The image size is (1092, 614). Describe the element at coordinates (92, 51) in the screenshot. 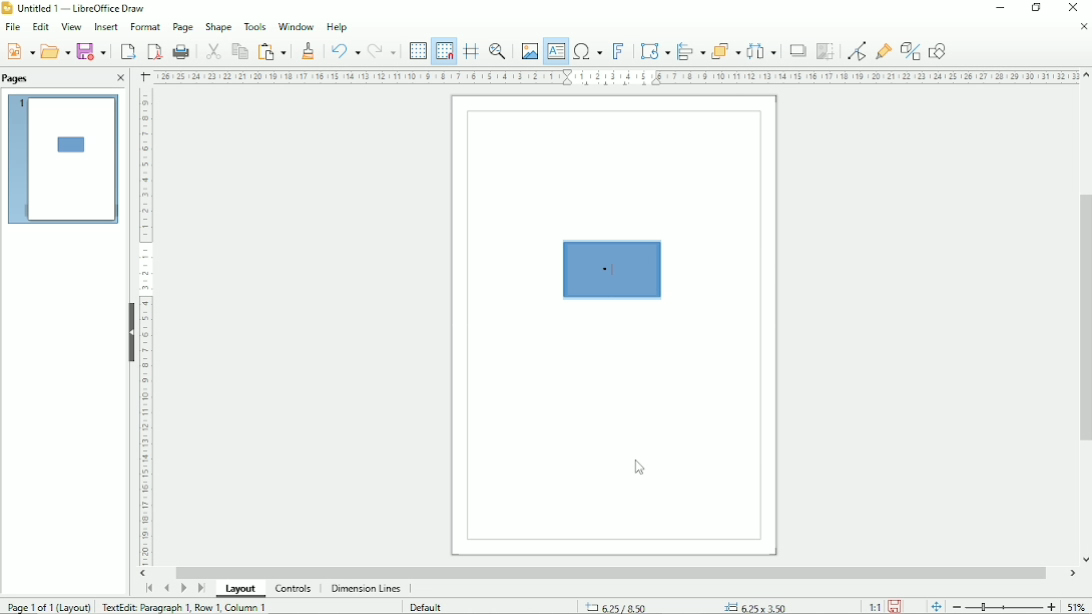

I see `Save` at that location.